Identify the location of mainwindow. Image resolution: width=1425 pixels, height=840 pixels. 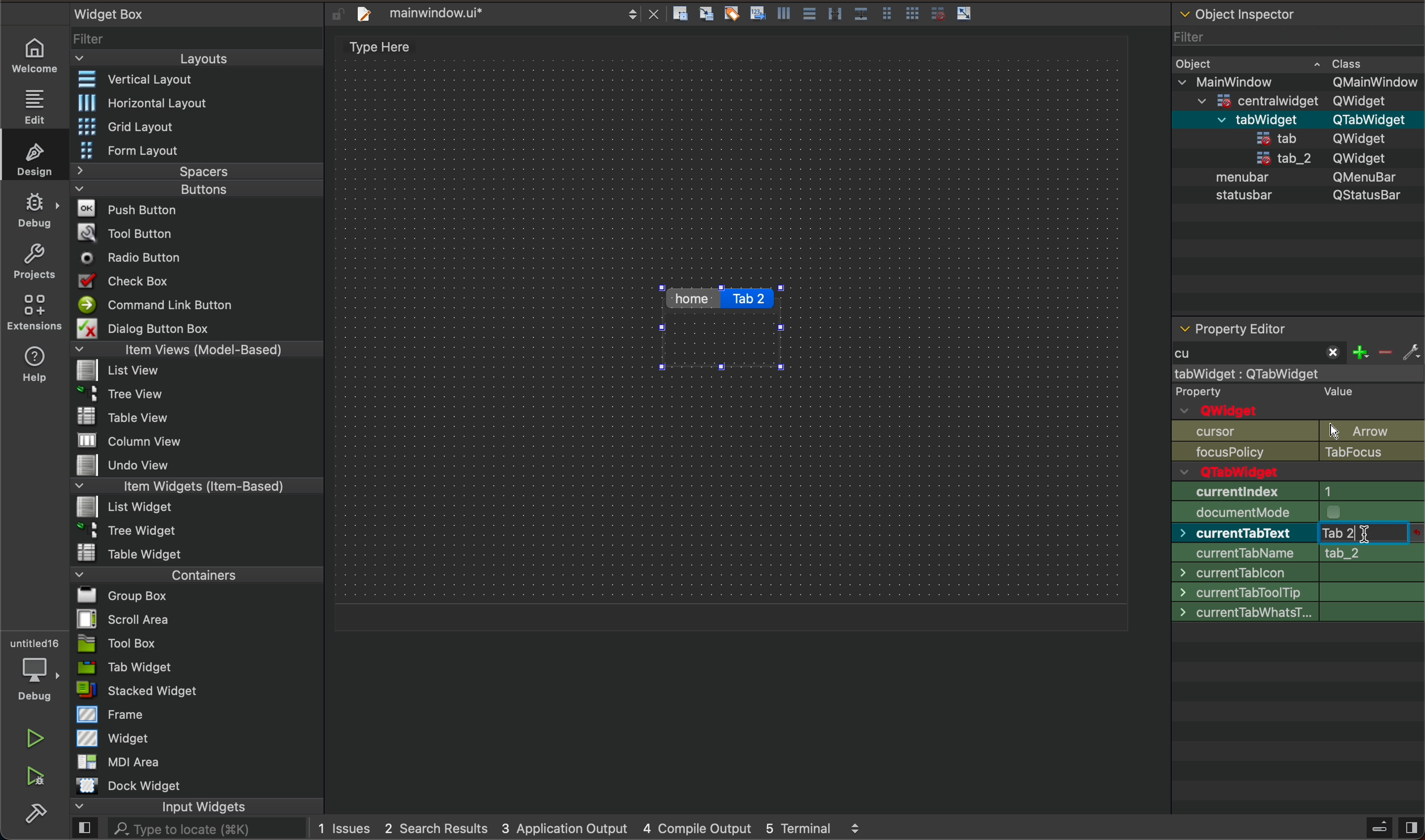
(1300, 373).